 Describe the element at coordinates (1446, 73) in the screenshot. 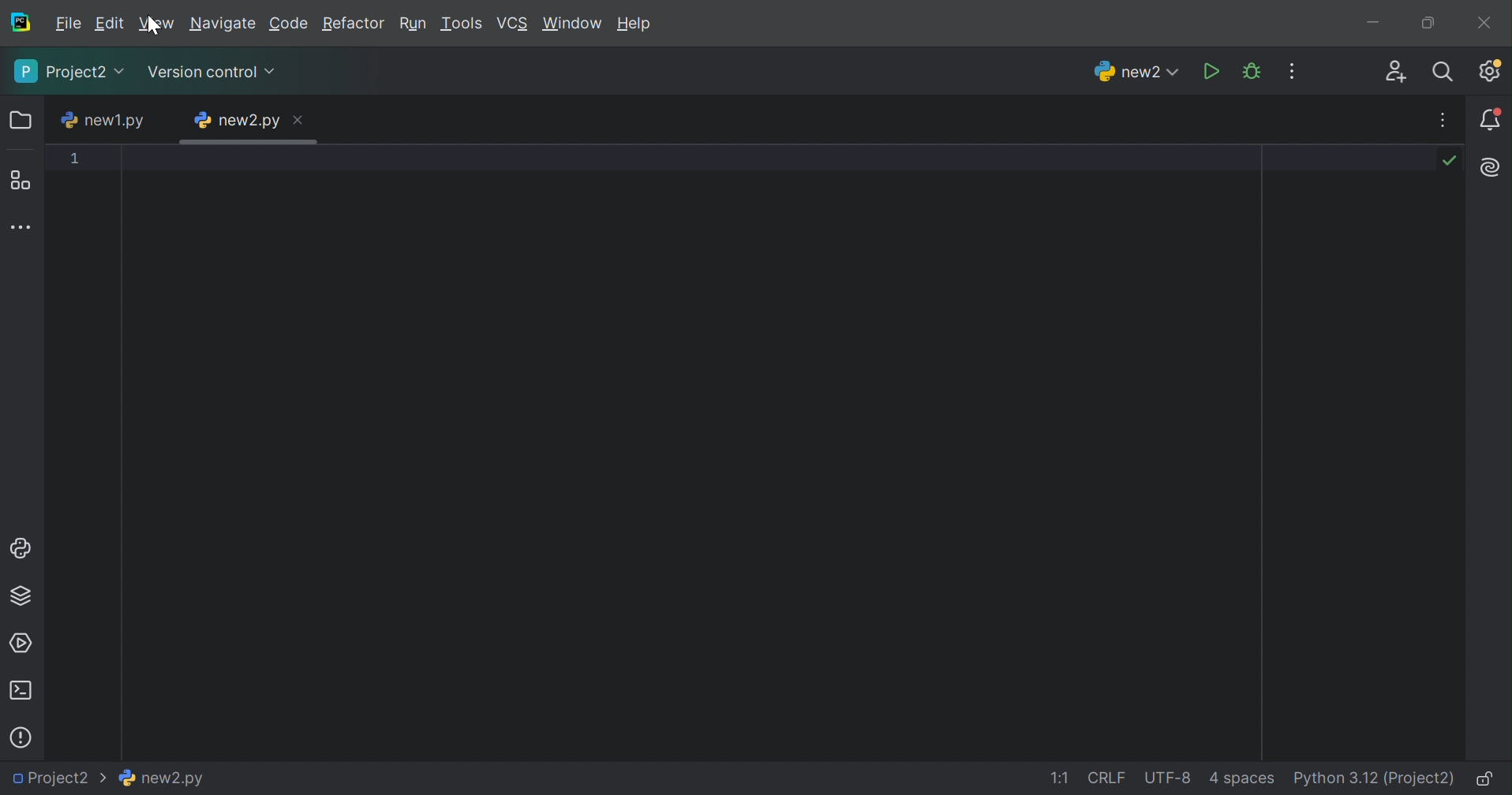

I see `Search everywhere` at that location.